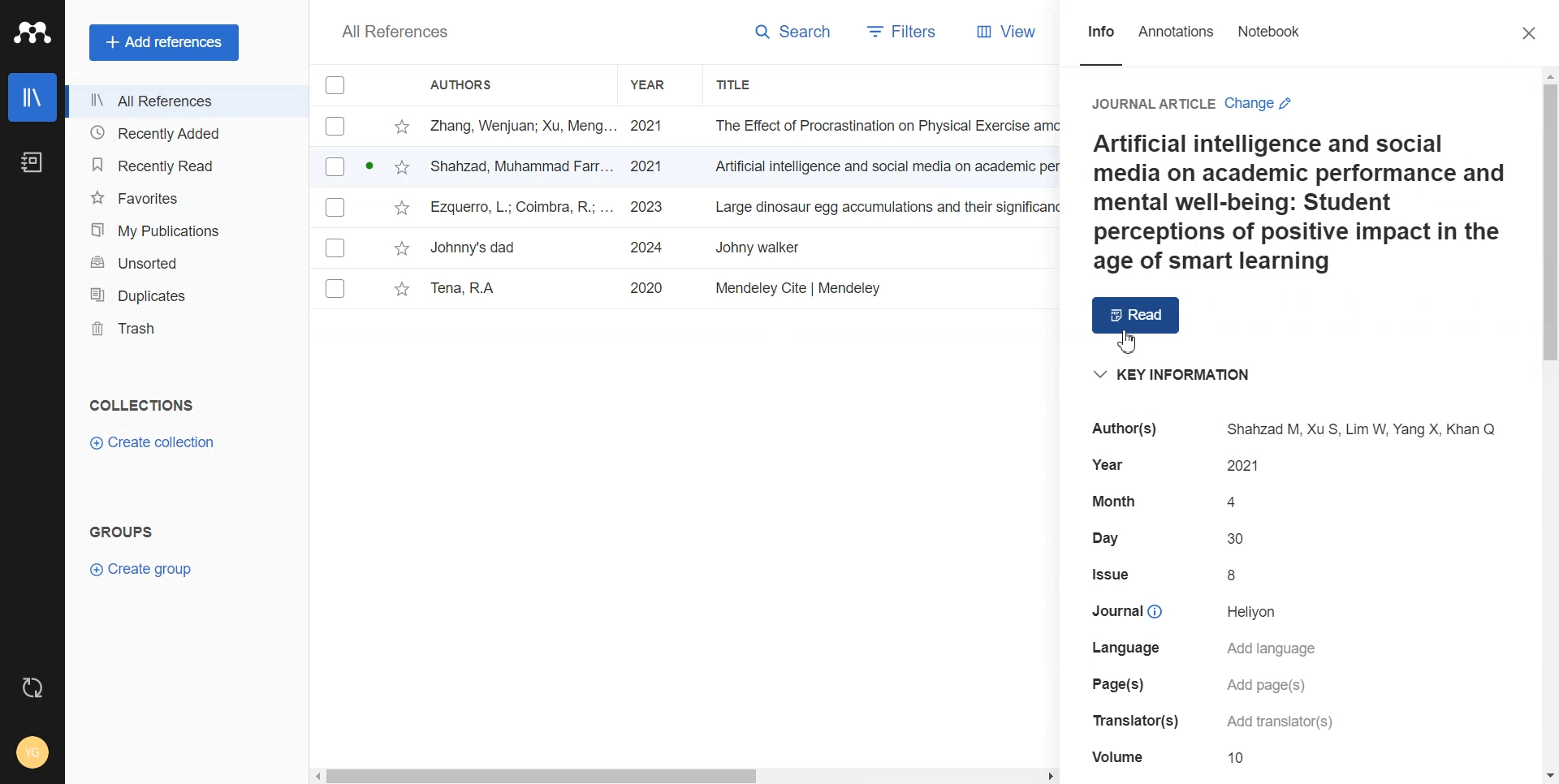  Describe the element at coordinates (752, 85) in the screenshot. I see `Title` at that location.